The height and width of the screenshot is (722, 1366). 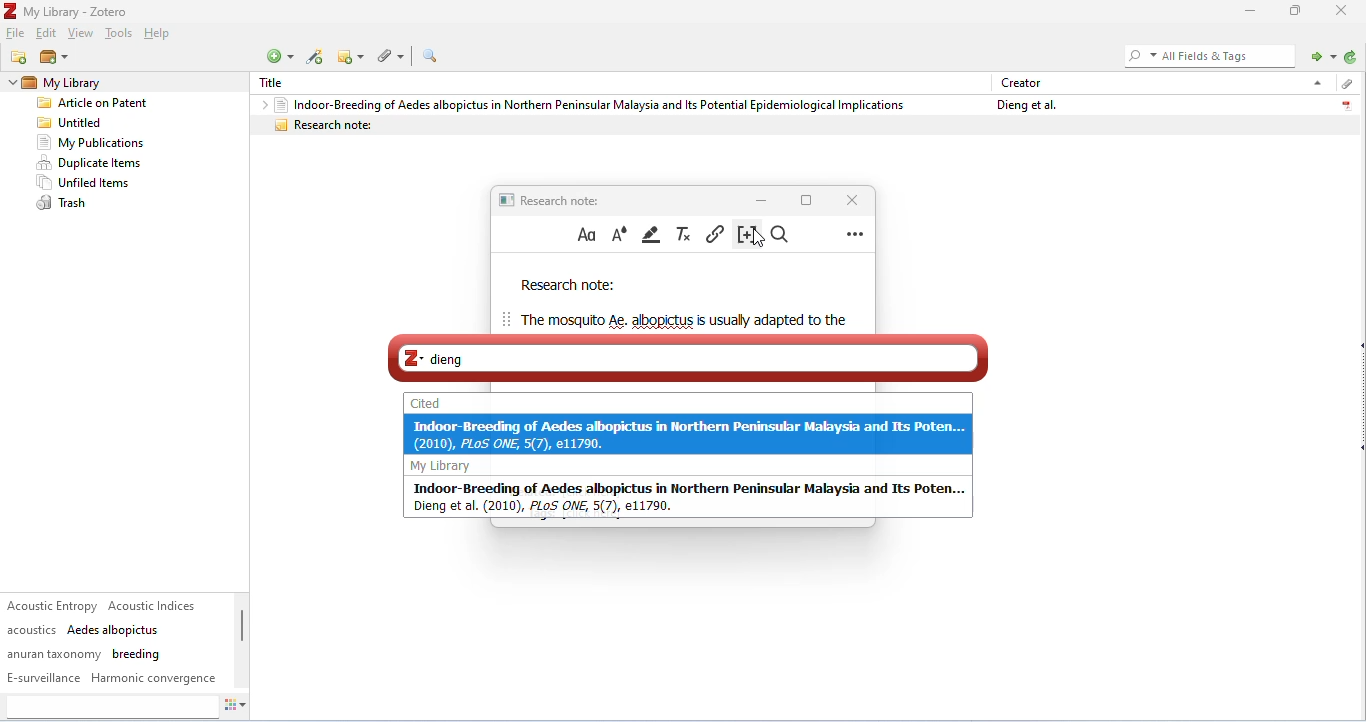 What do you see at coordinates (277, 83) in the screenshot?
I see `title` at bounding box center [277, 83].